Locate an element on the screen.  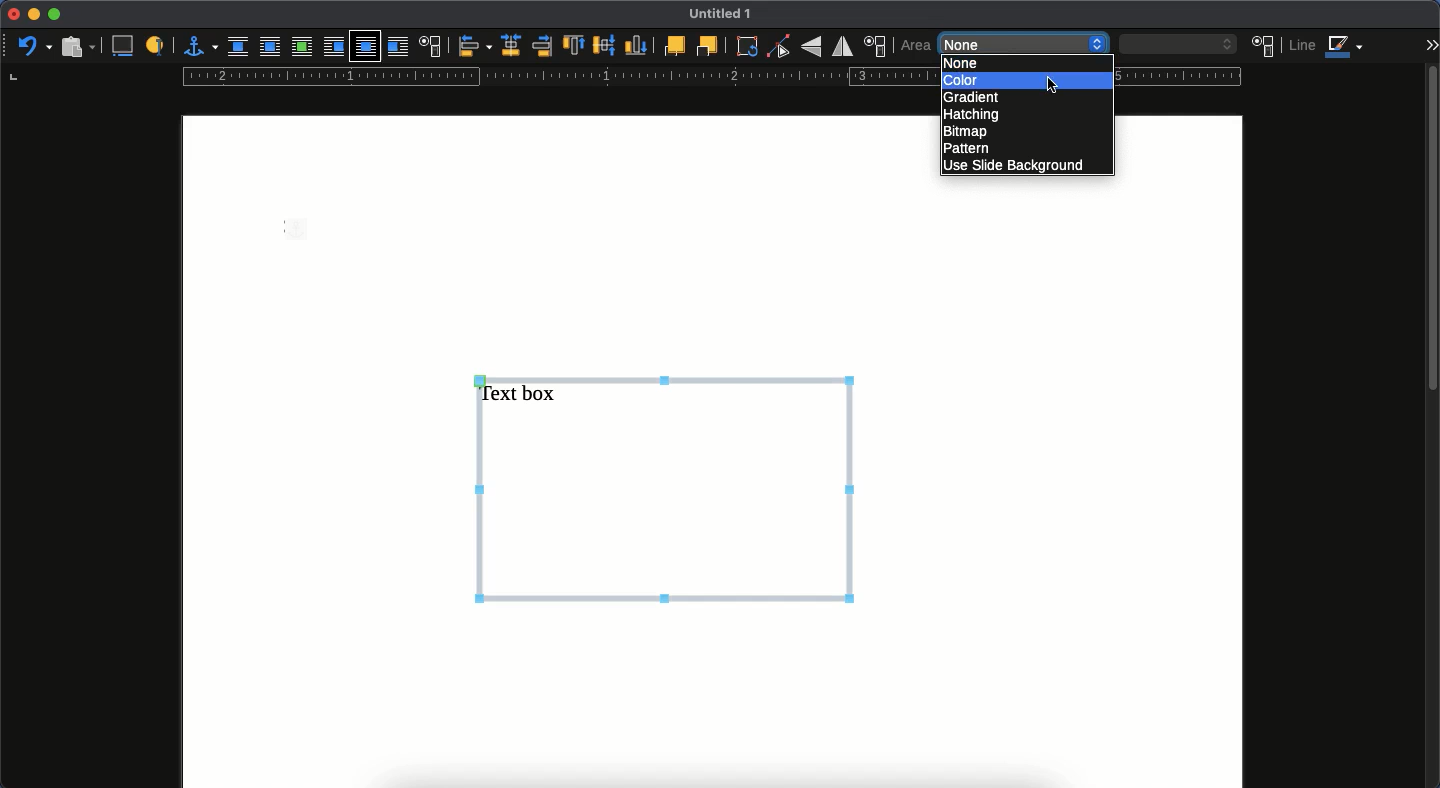
text wrap is located at coordinates (432, 46).